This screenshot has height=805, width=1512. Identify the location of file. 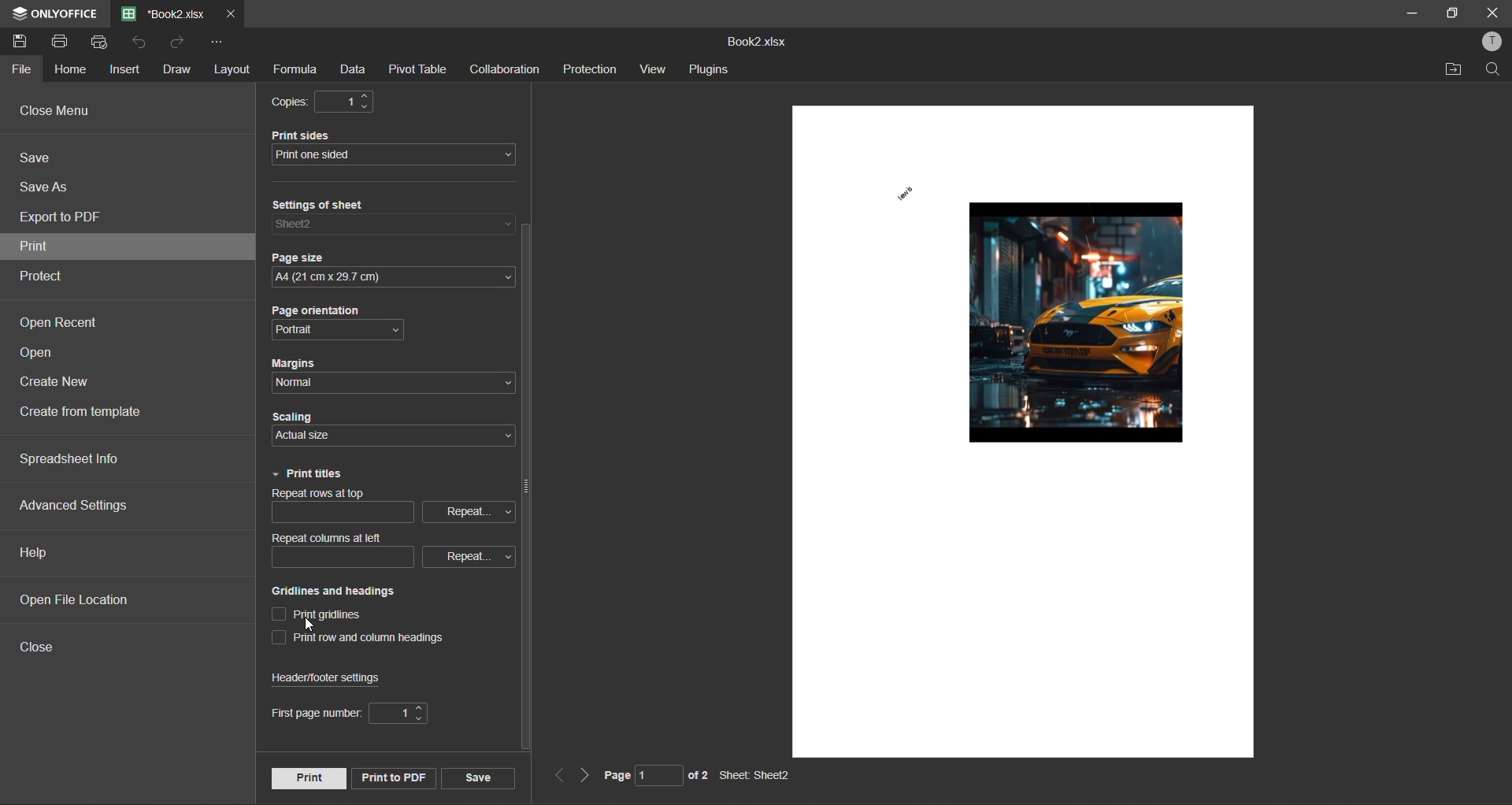
(20, 71).